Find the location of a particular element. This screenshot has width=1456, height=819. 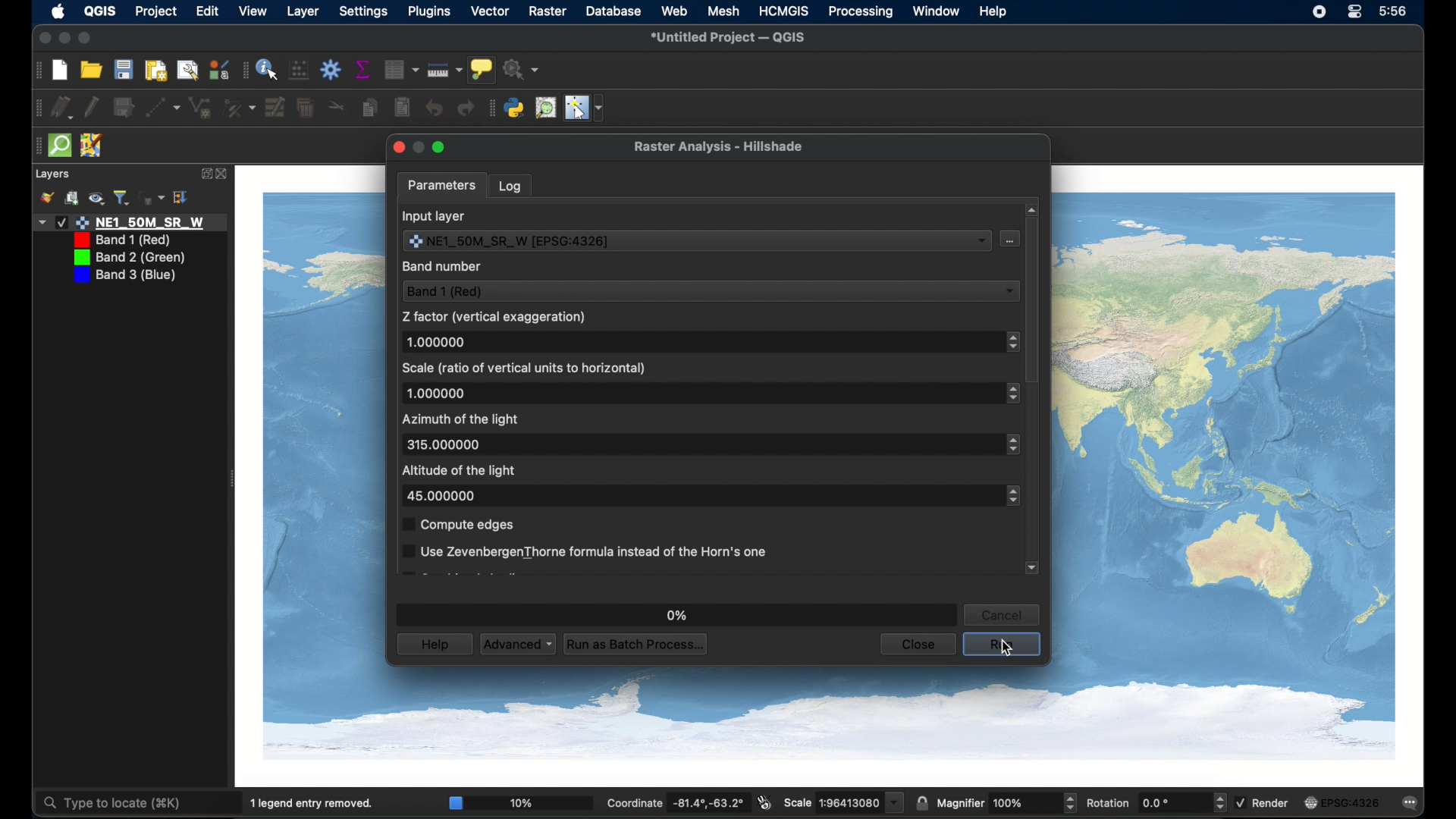

QGIS is located at coordinates (102, 11).